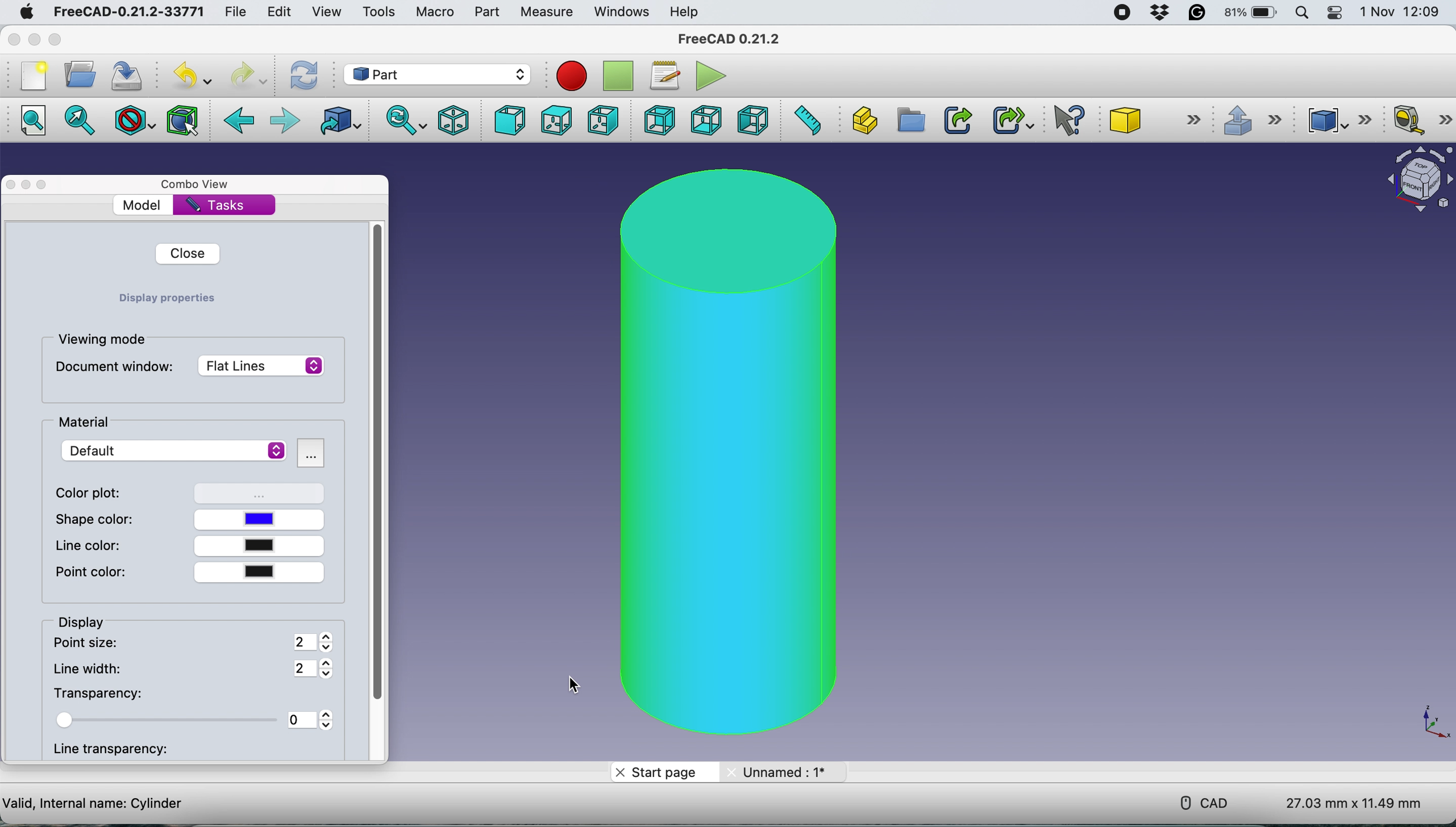 The image size is (1456, 827). What do you see at coordinates (722, 453) in the screenshot?
I see `cylinder` at bounding box center [722, 453].